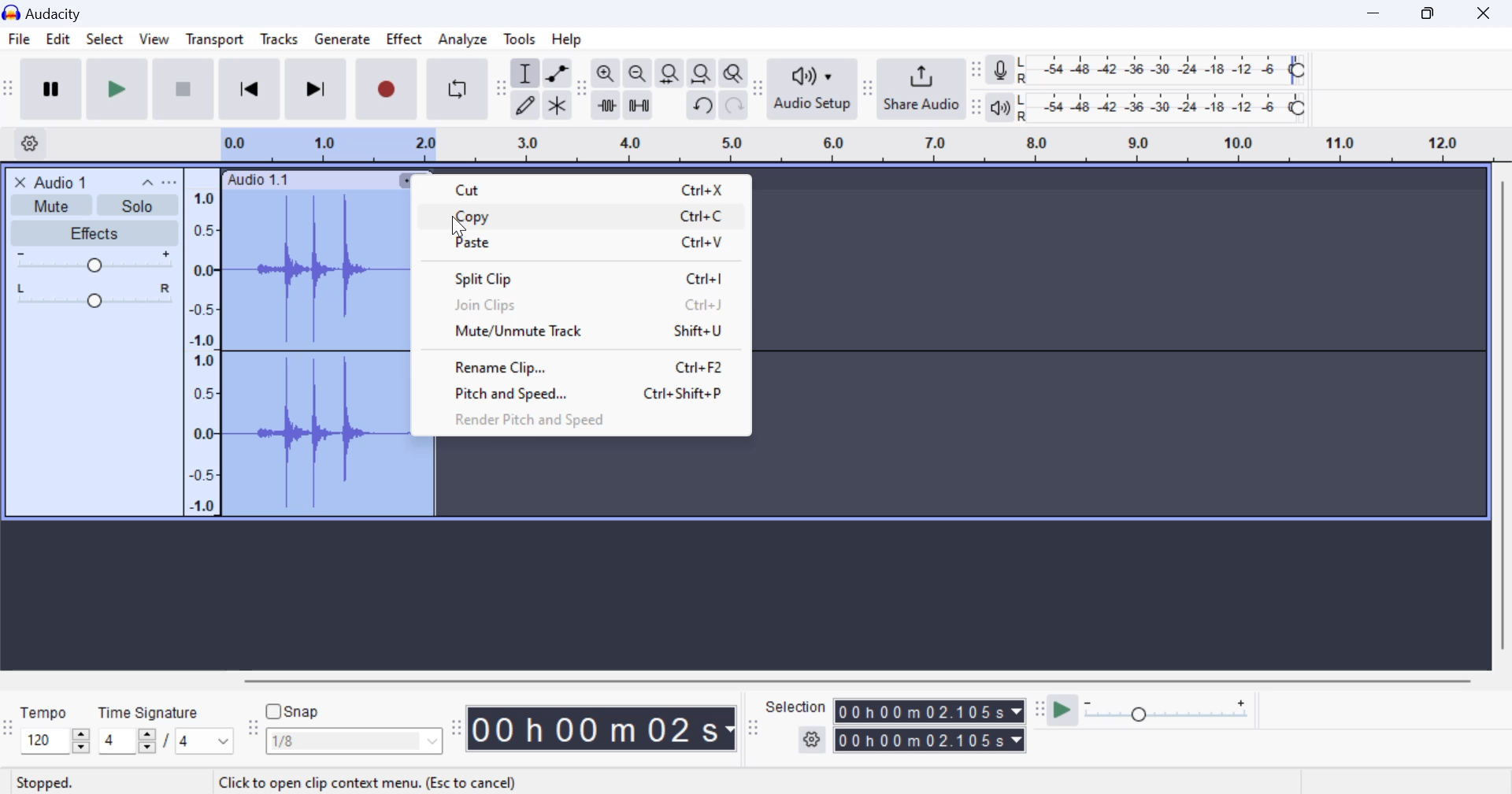 The height and width of the screenshot is (794, 1512). I want to click on Rename Clip, so click(573, 367).